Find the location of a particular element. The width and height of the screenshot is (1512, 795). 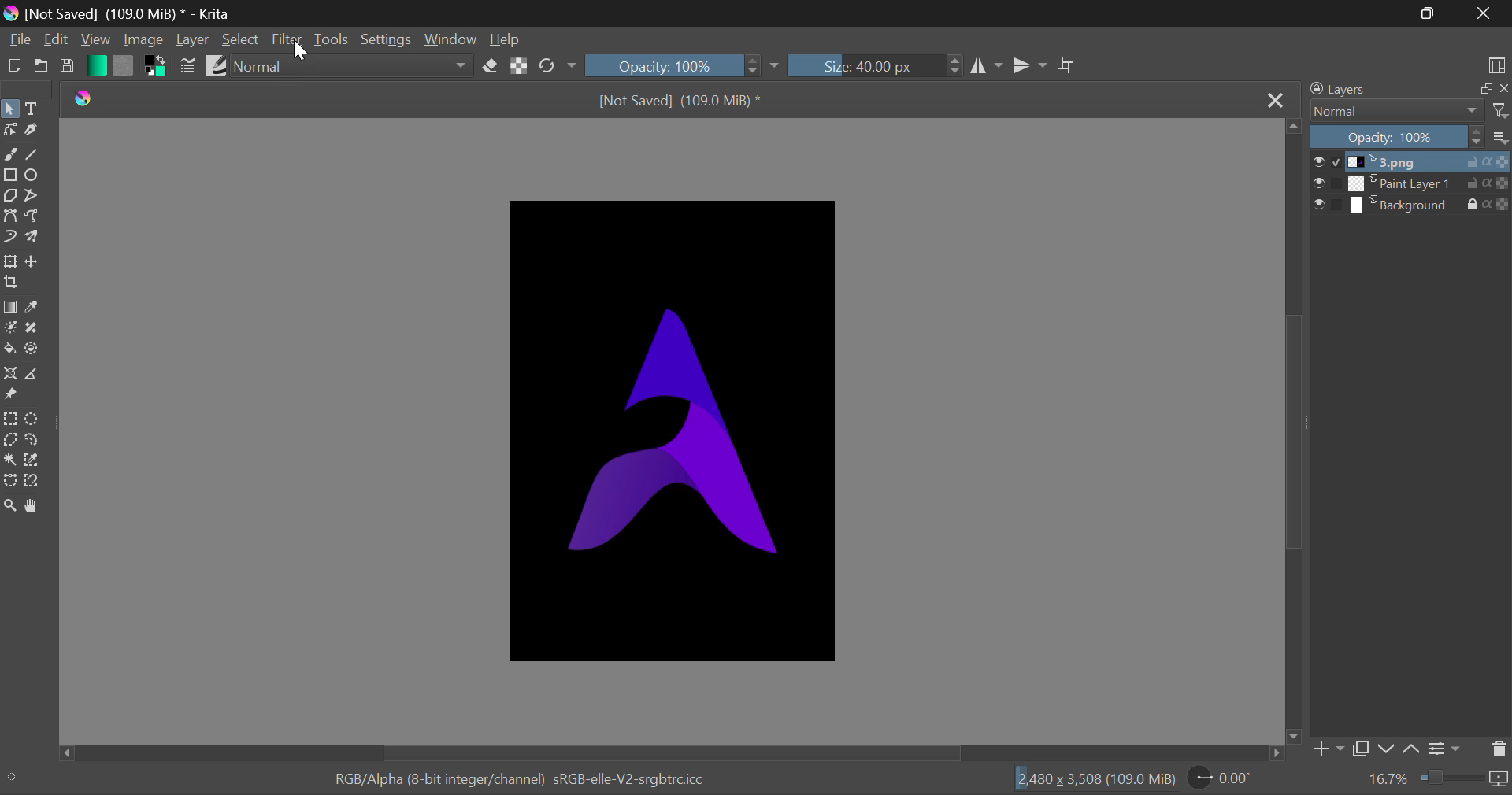

normal is located at coordinates (351, 65).